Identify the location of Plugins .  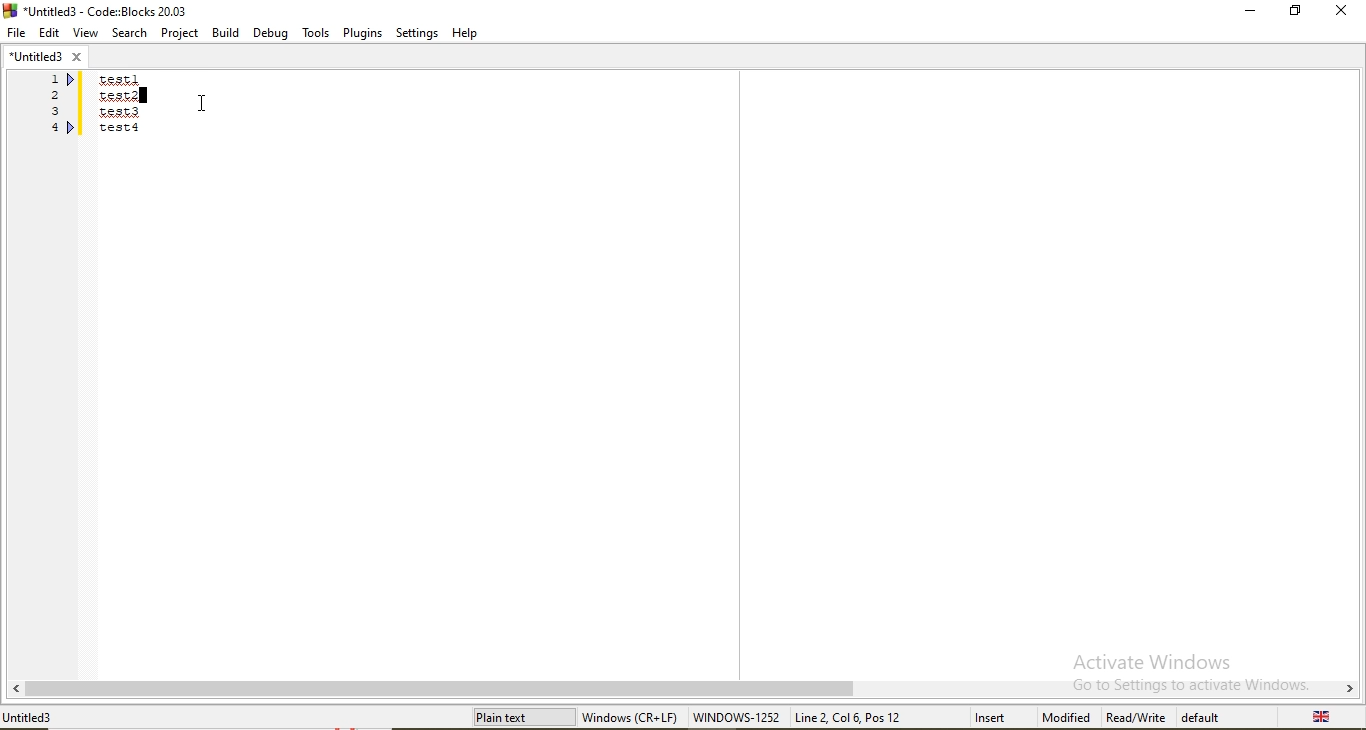
(360, 33).